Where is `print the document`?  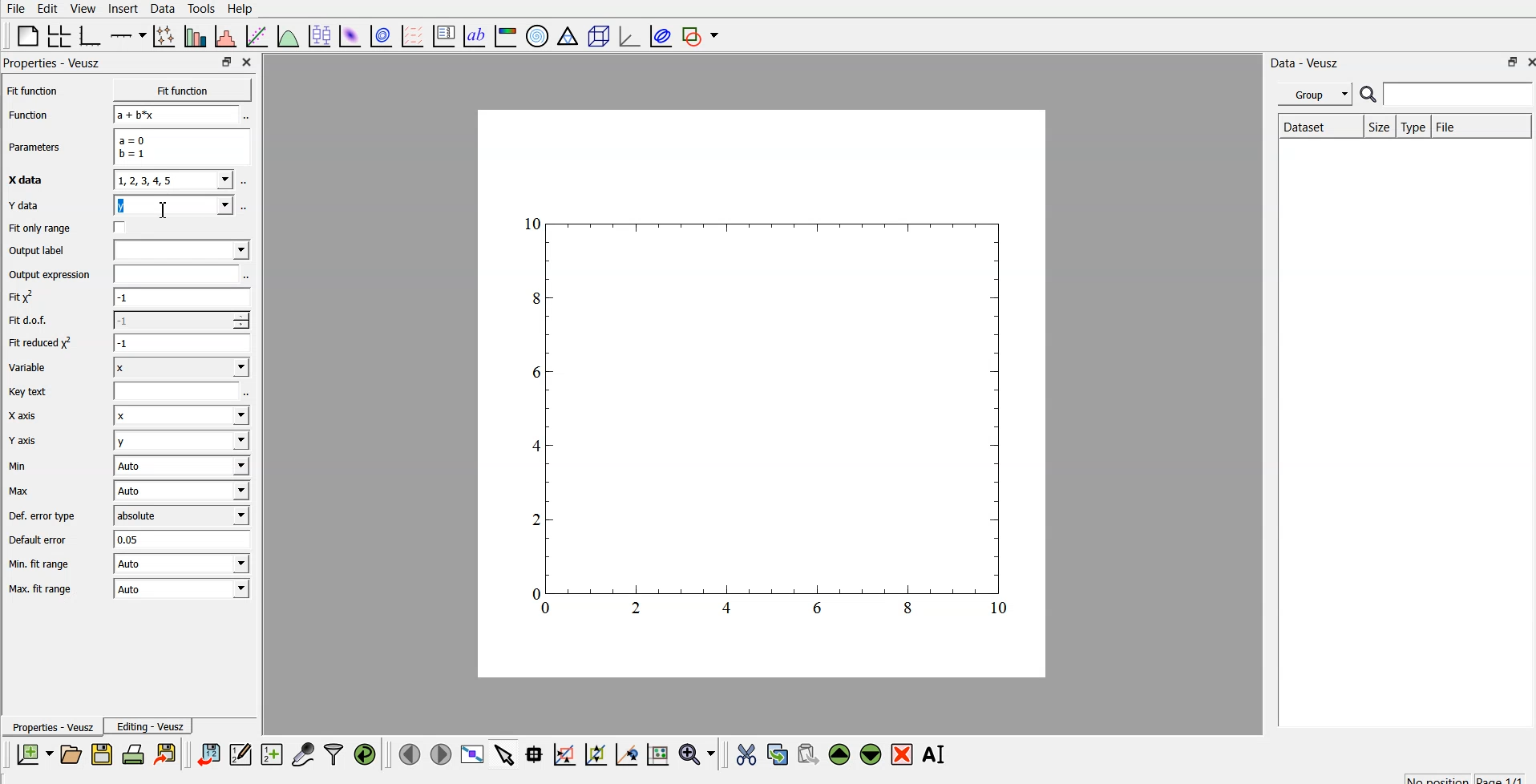
print the document is located at coordinates (166, 754).